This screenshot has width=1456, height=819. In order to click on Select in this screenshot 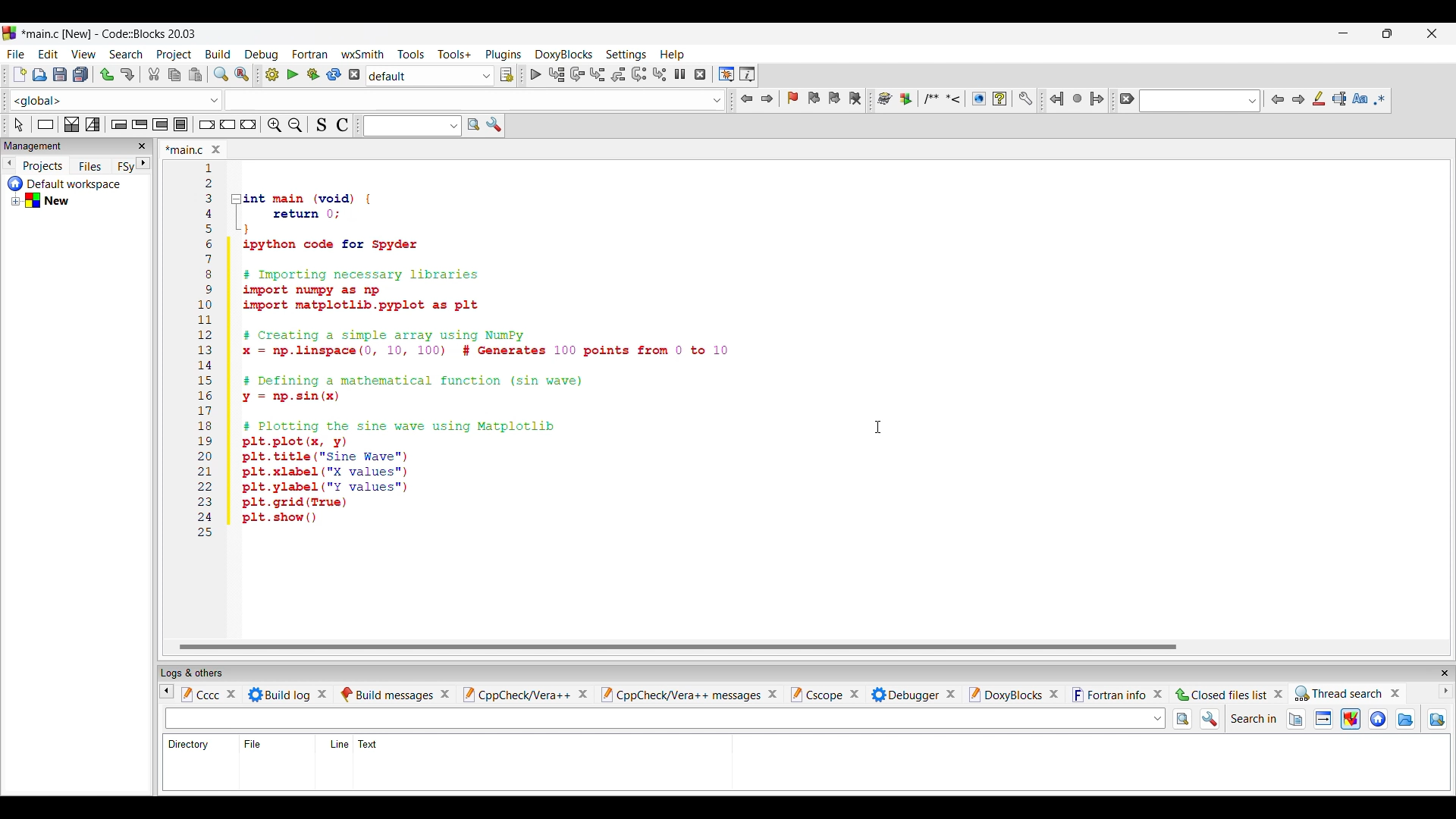, I will do `click(510, 75)`.